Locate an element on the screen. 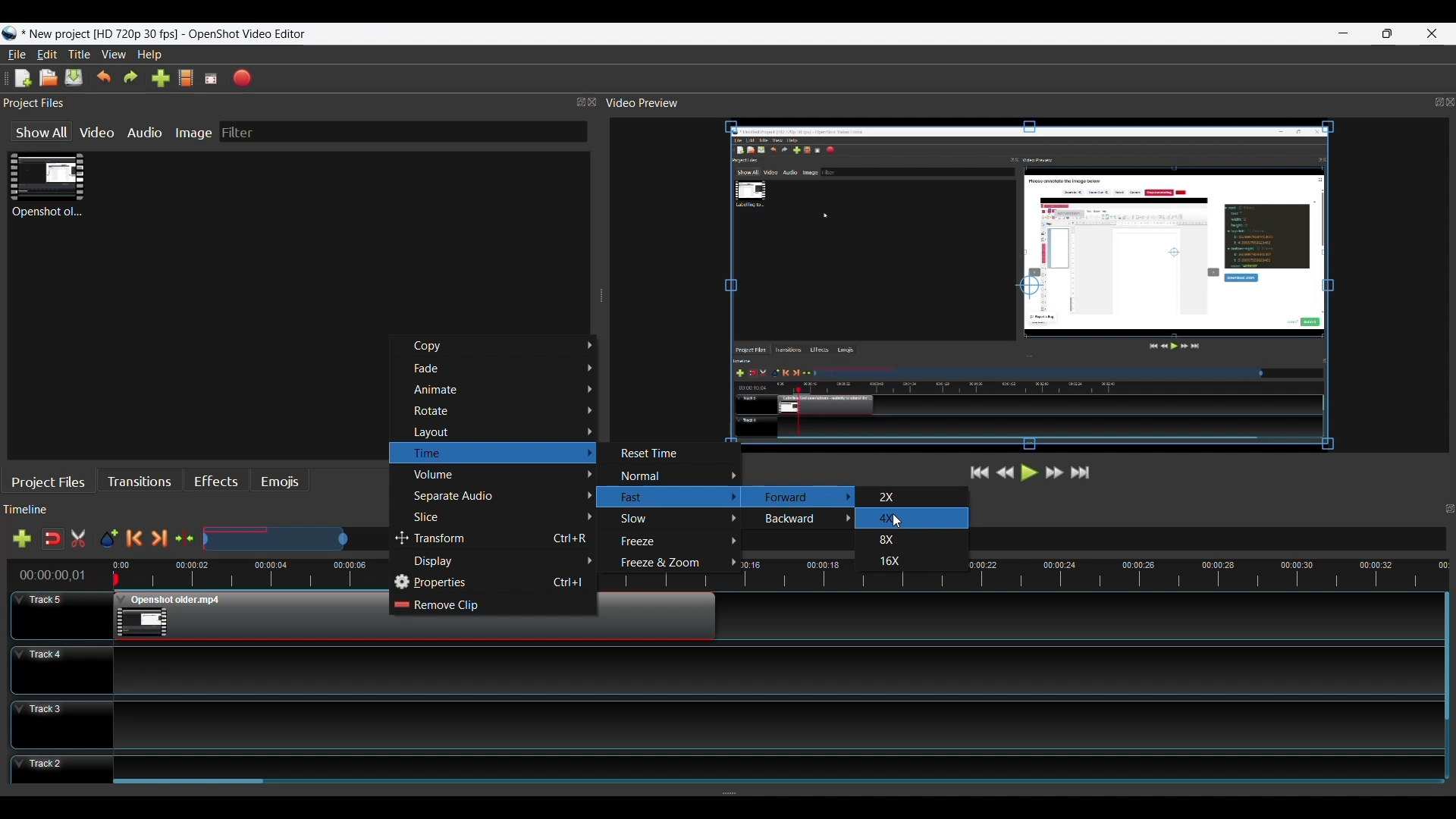 The image size is (1456, 819). Video Preview Panel is located at coordinates (1029, 103).